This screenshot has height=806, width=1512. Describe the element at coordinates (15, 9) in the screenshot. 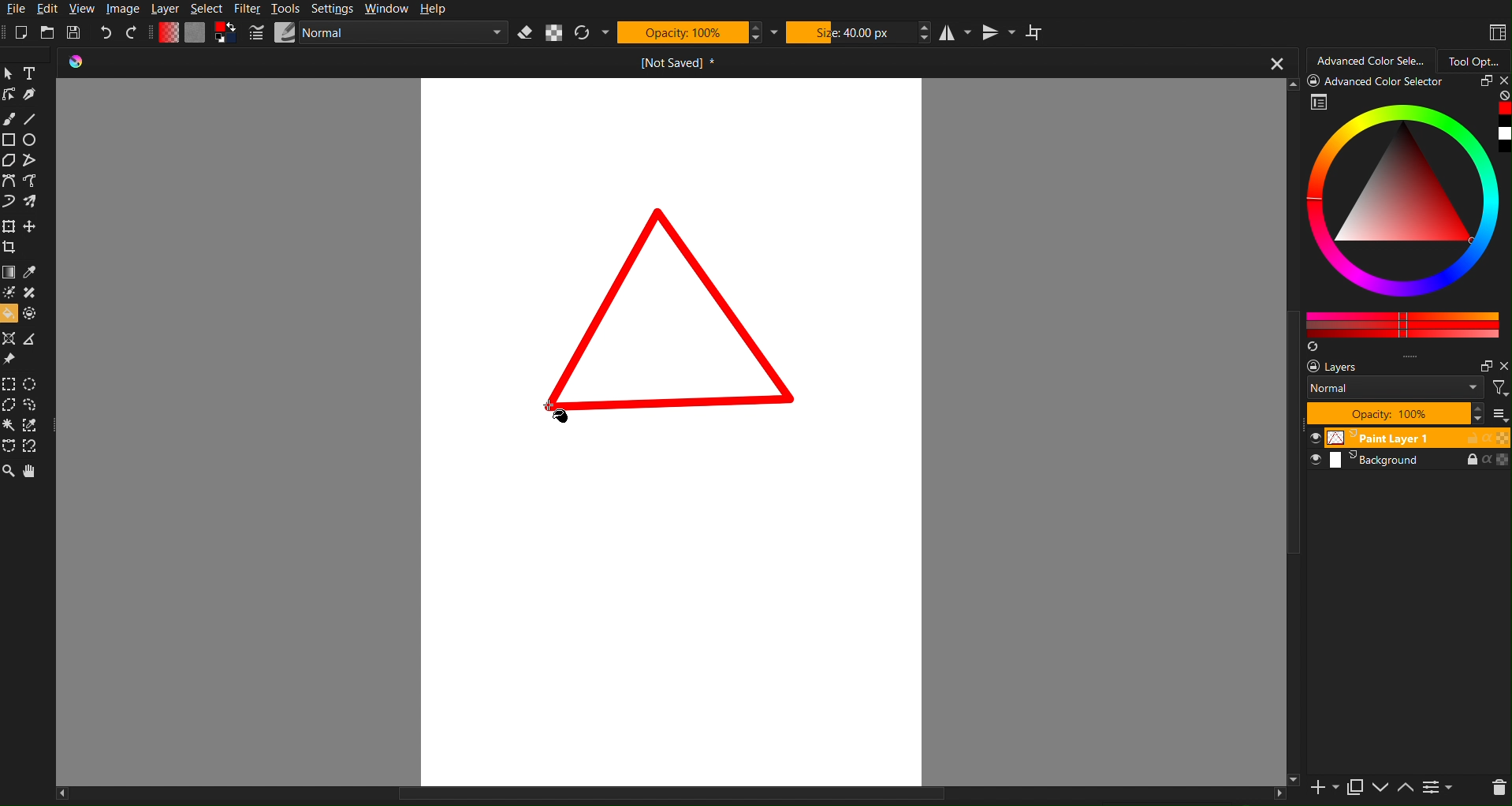

I see `File` at that location.